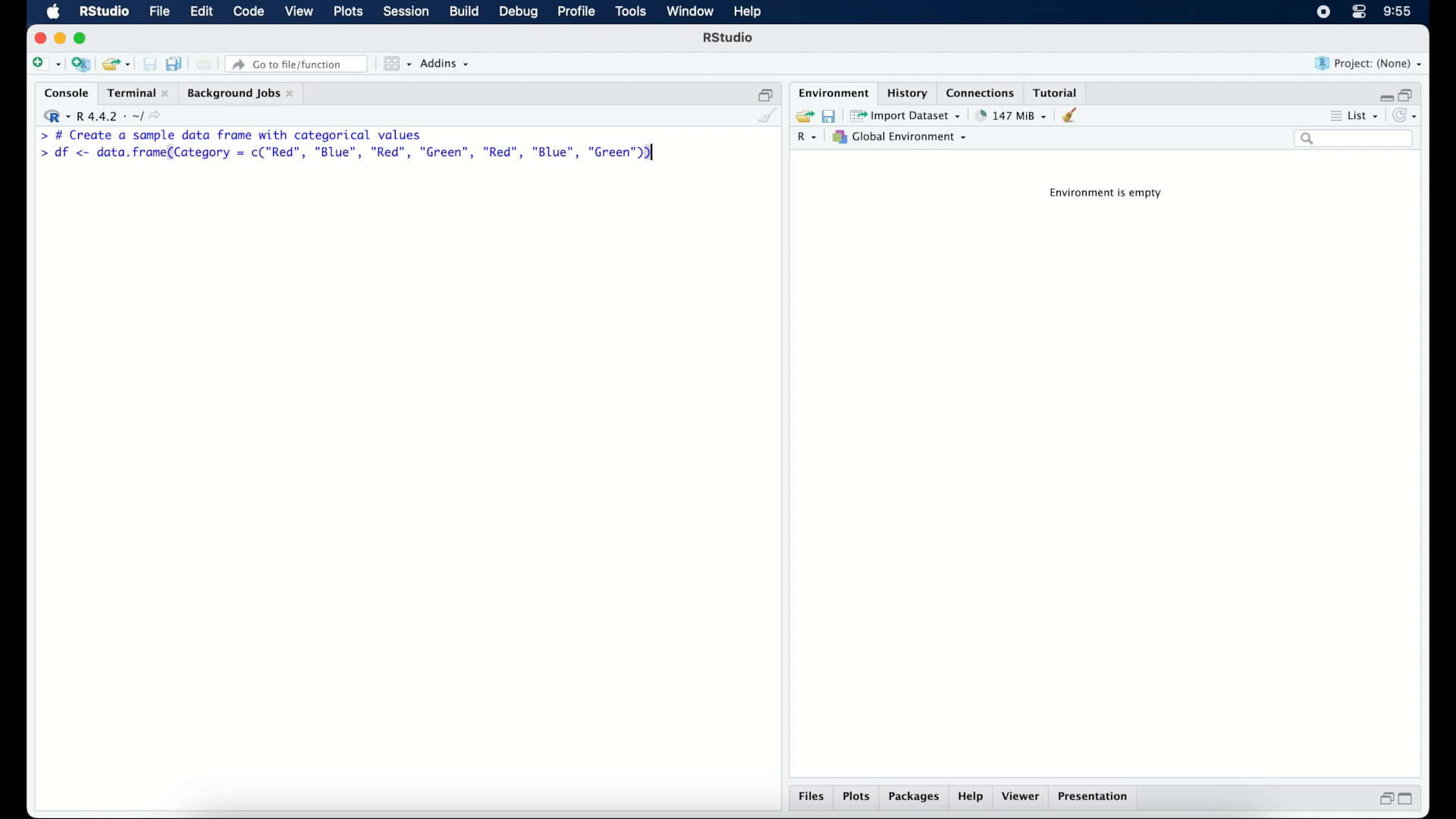  What do you see at coordinates (905, 137) in the screenshot?
I see `global environment` at bounding box center [905, 137].